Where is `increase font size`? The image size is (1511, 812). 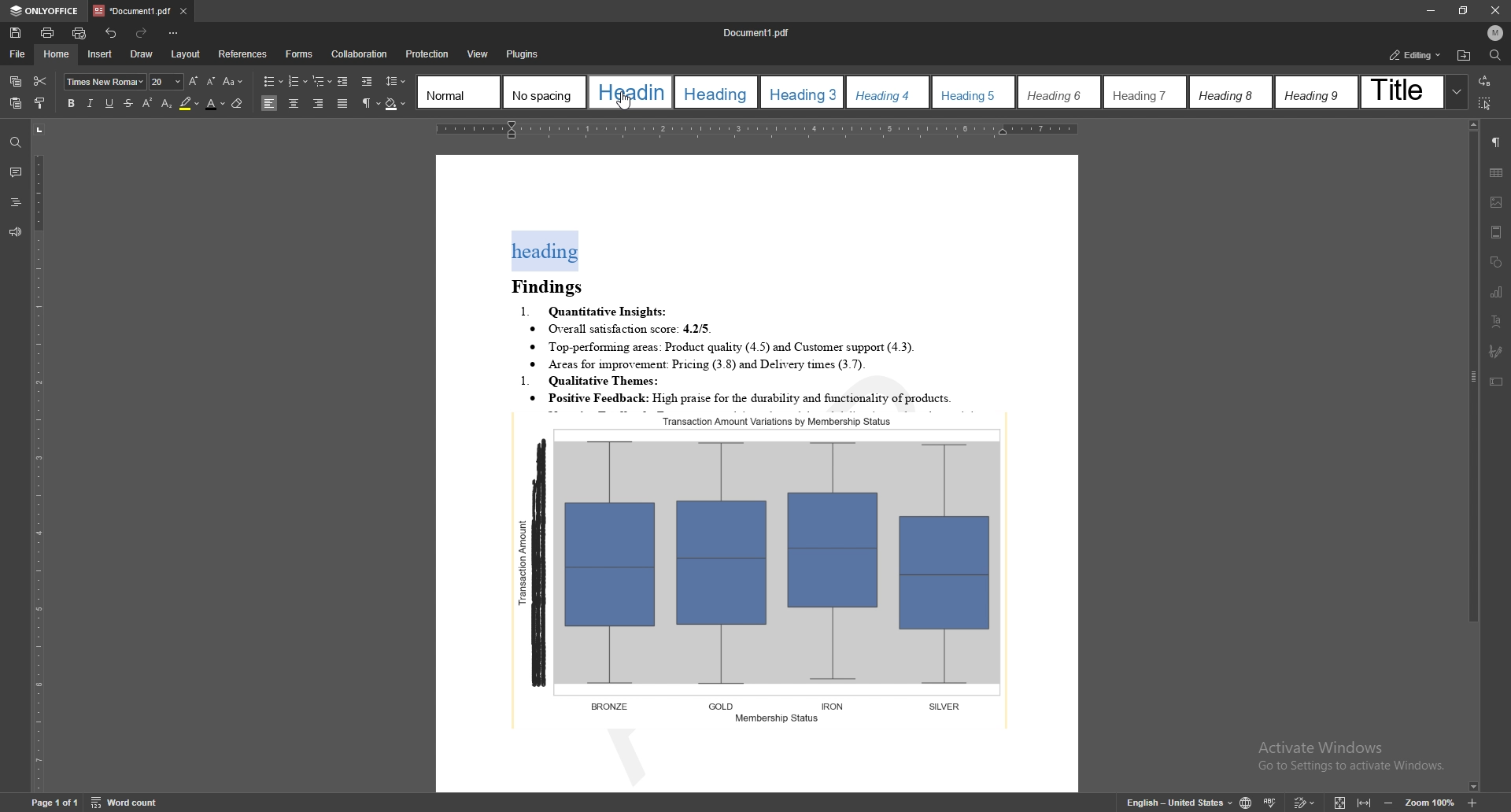
increase font size is located at coordinates (193, 81).